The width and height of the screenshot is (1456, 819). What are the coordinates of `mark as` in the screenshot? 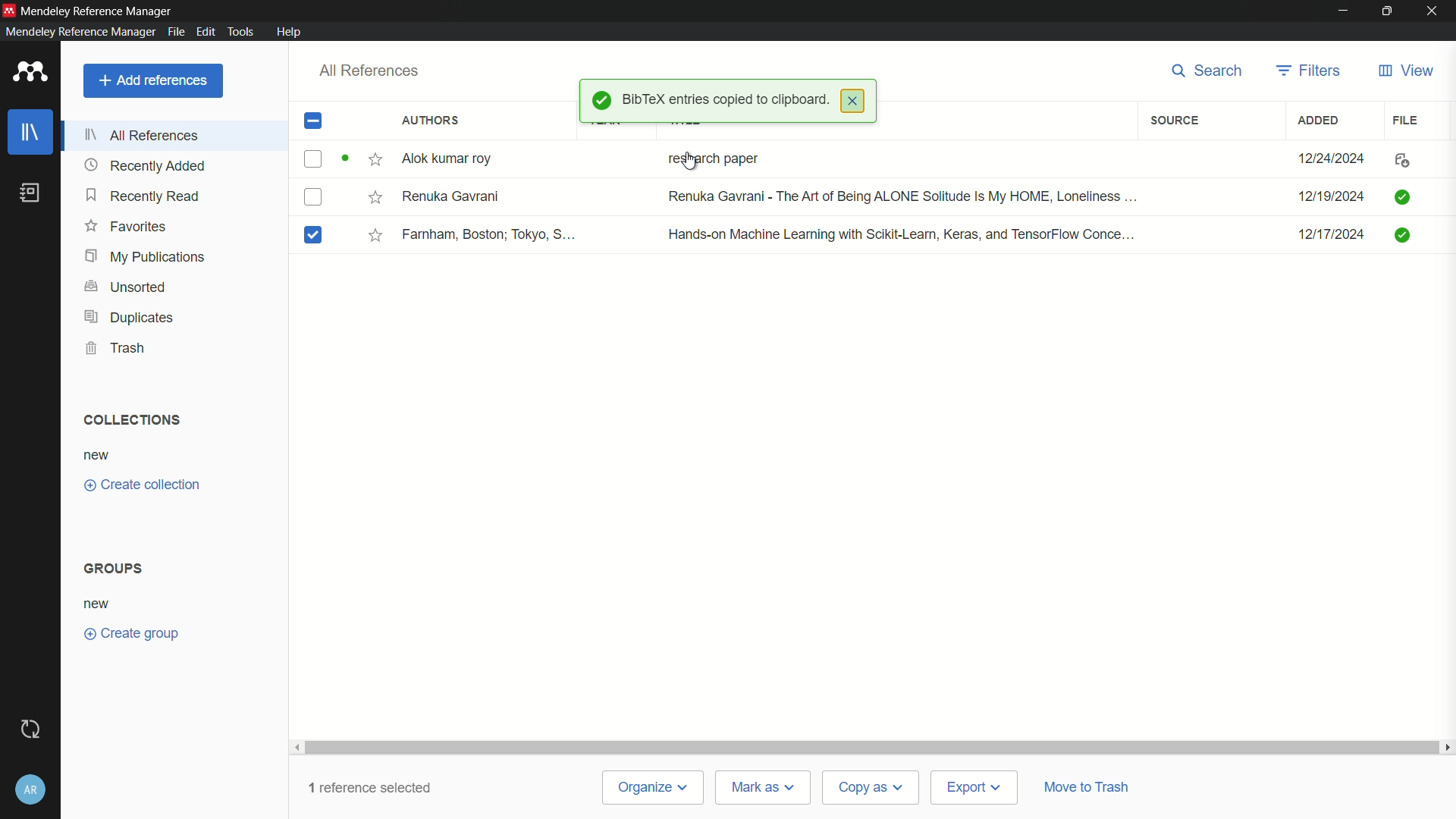 It's located at (765, 788).